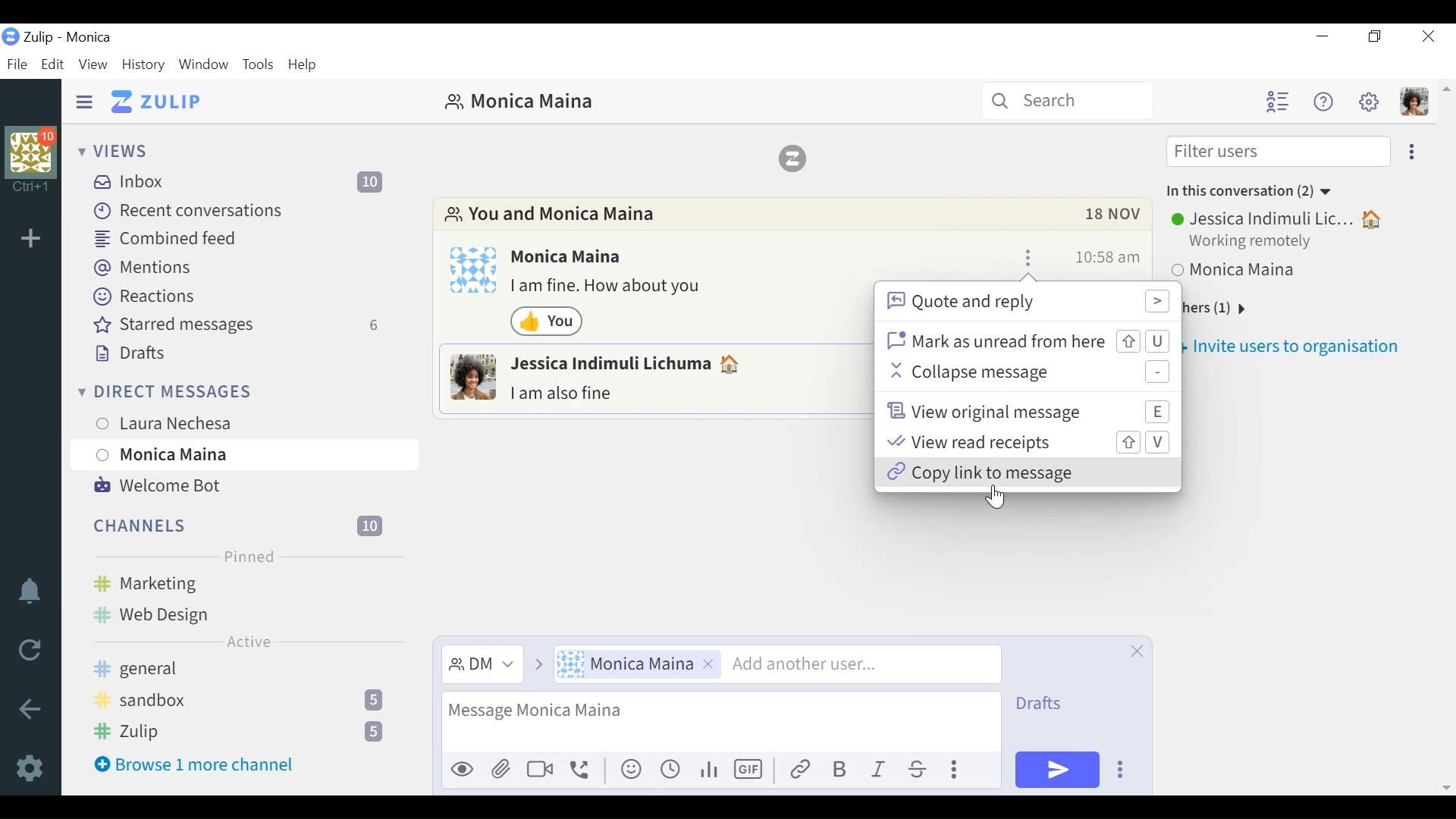 Image resolution: width=1456 pixels, height=819 pixels. Describe the element at coordinates (242, 454) in the screenshot. I see `Monica Maina` at that location.